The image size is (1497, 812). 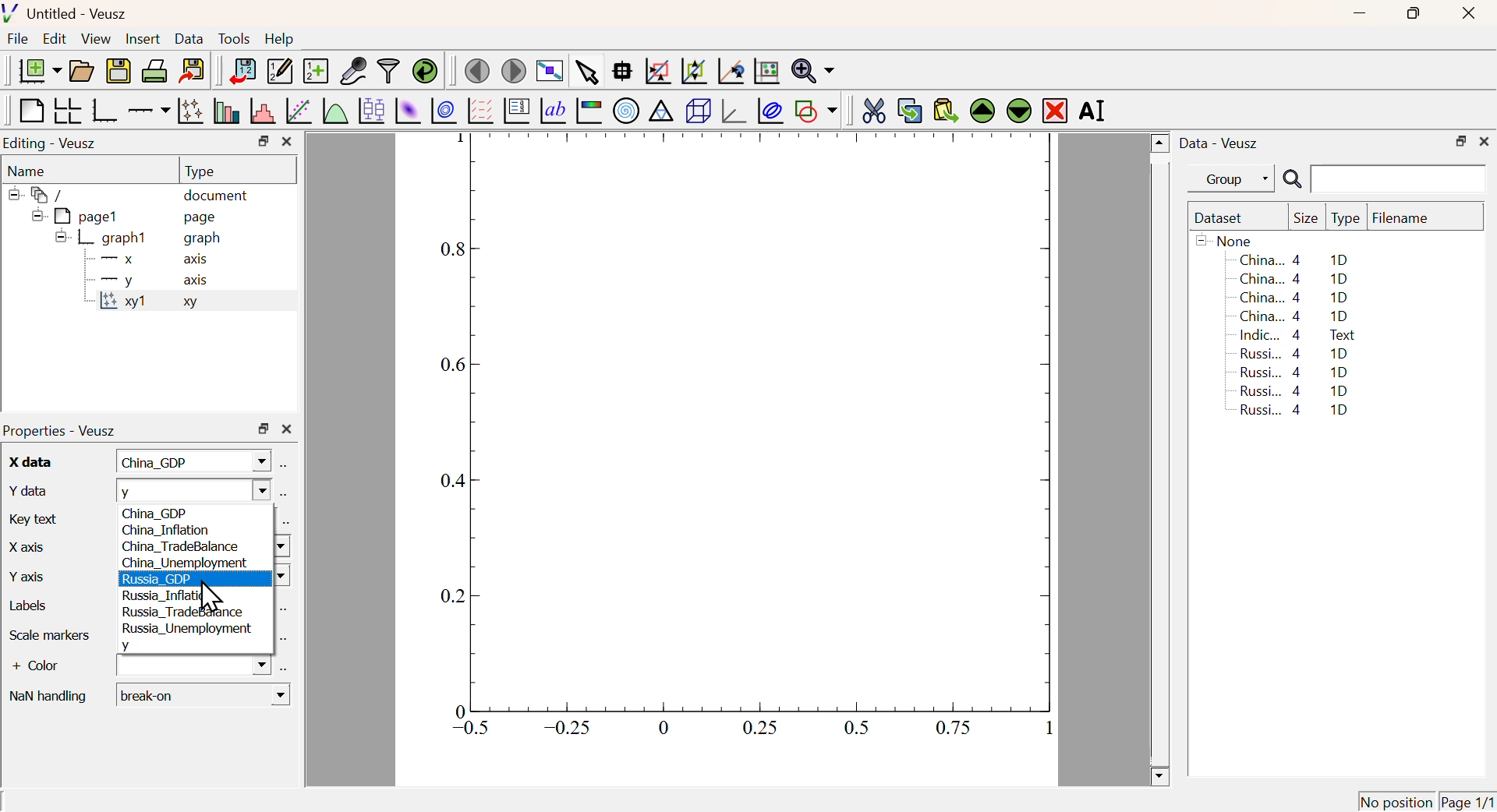 What do you see at coordinates (48, 667) in the screenshot?
I see `+ Color` at bounding box center [48, 667].